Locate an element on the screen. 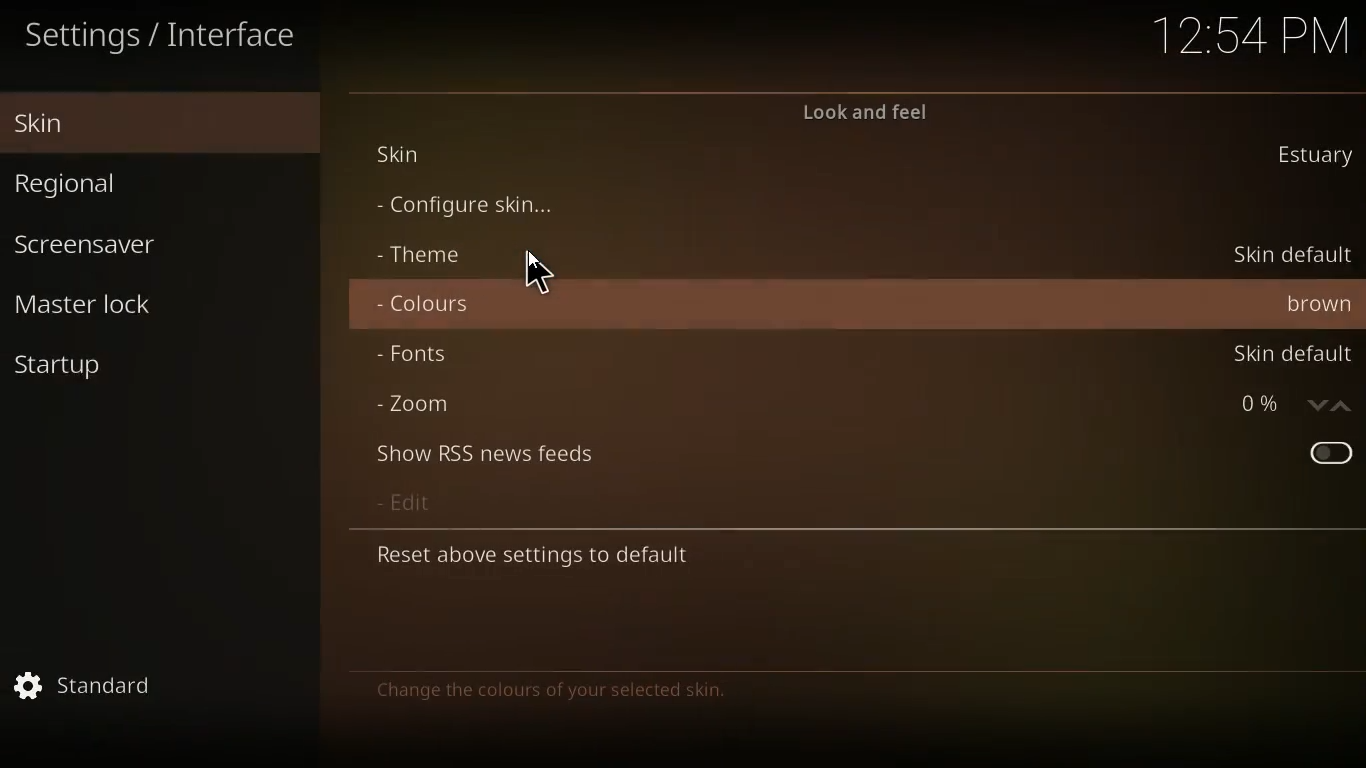 The width and height of the screenshot is (1366, 768). navigation is located at coordinates (1330, 406).